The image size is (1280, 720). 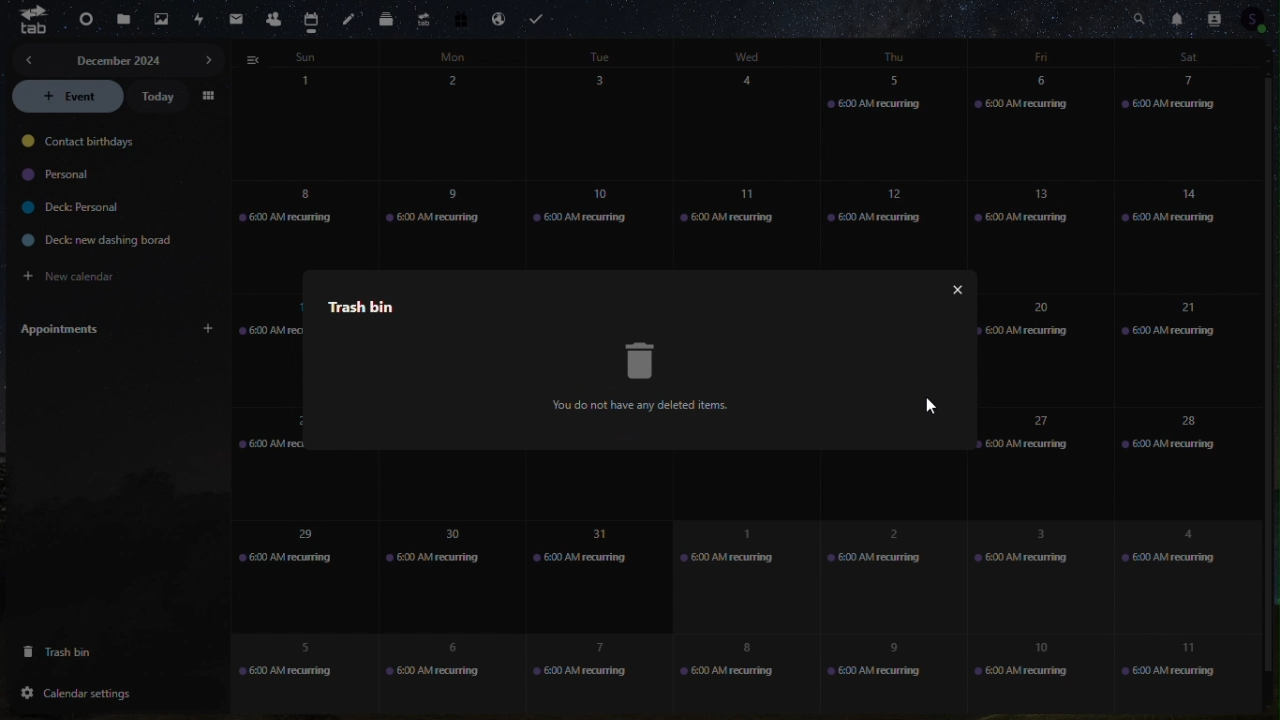 What do you see at coordinates (1034, 673) in the screenshot?
I see `10` at bounding box center [1034, 673].